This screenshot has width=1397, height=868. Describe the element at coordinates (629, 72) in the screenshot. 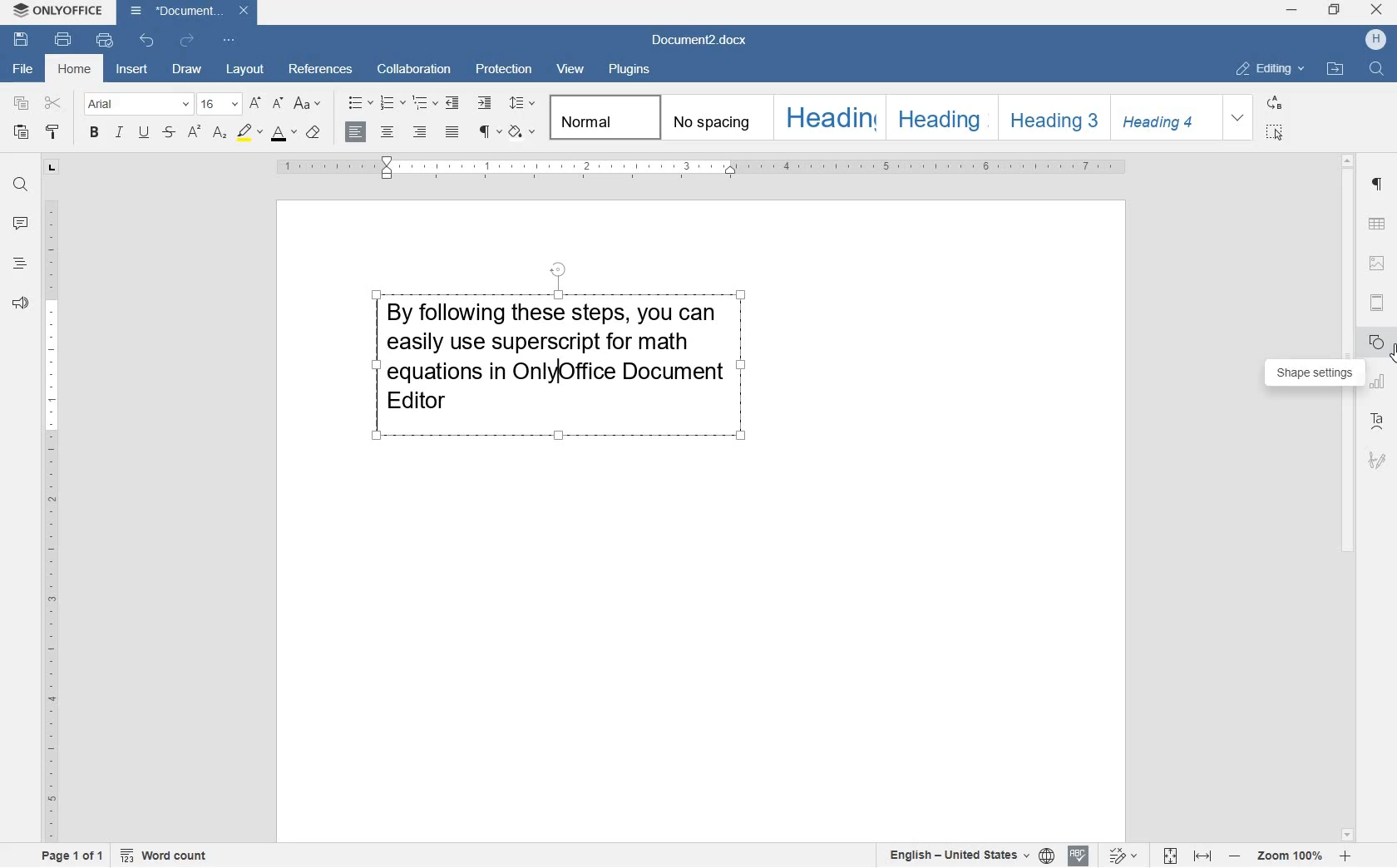

I see `plugins` at that location.